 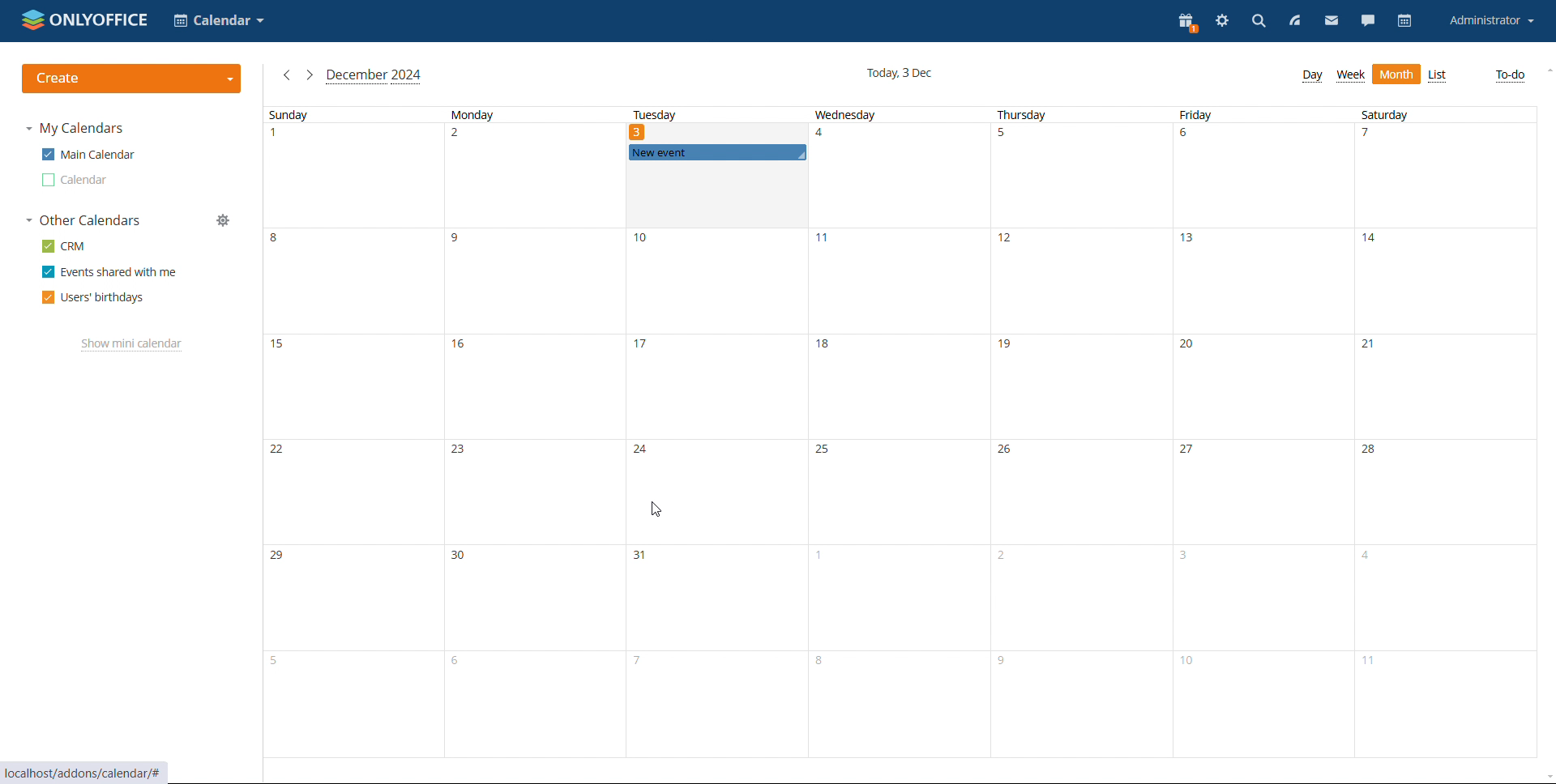 What do you see at coordinates (1080, 280) in the screenshot?
I see `date` at bounding box center [1080, 280].